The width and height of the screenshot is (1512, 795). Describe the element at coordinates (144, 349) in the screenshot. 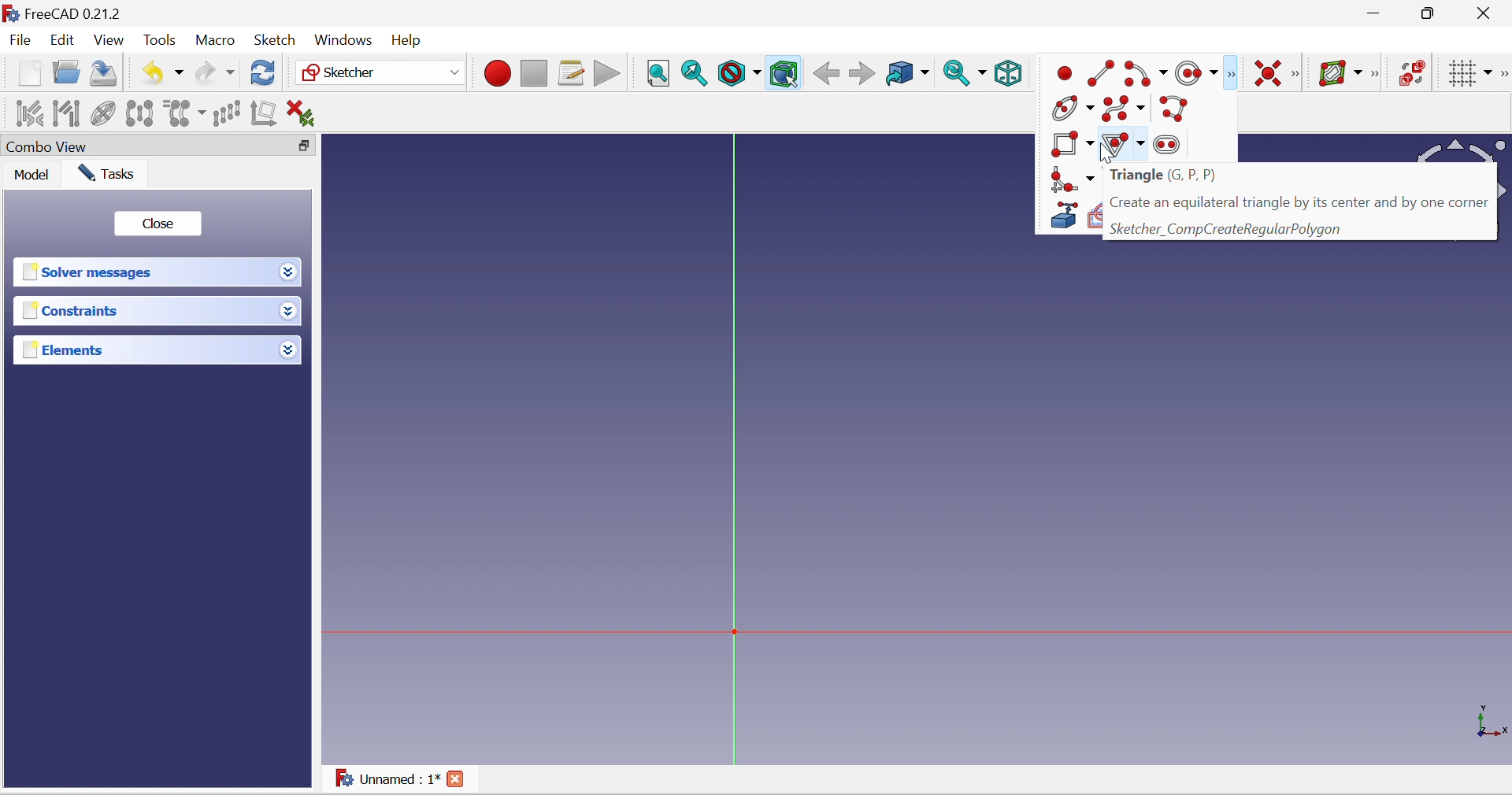

I see `Elements` at that location.